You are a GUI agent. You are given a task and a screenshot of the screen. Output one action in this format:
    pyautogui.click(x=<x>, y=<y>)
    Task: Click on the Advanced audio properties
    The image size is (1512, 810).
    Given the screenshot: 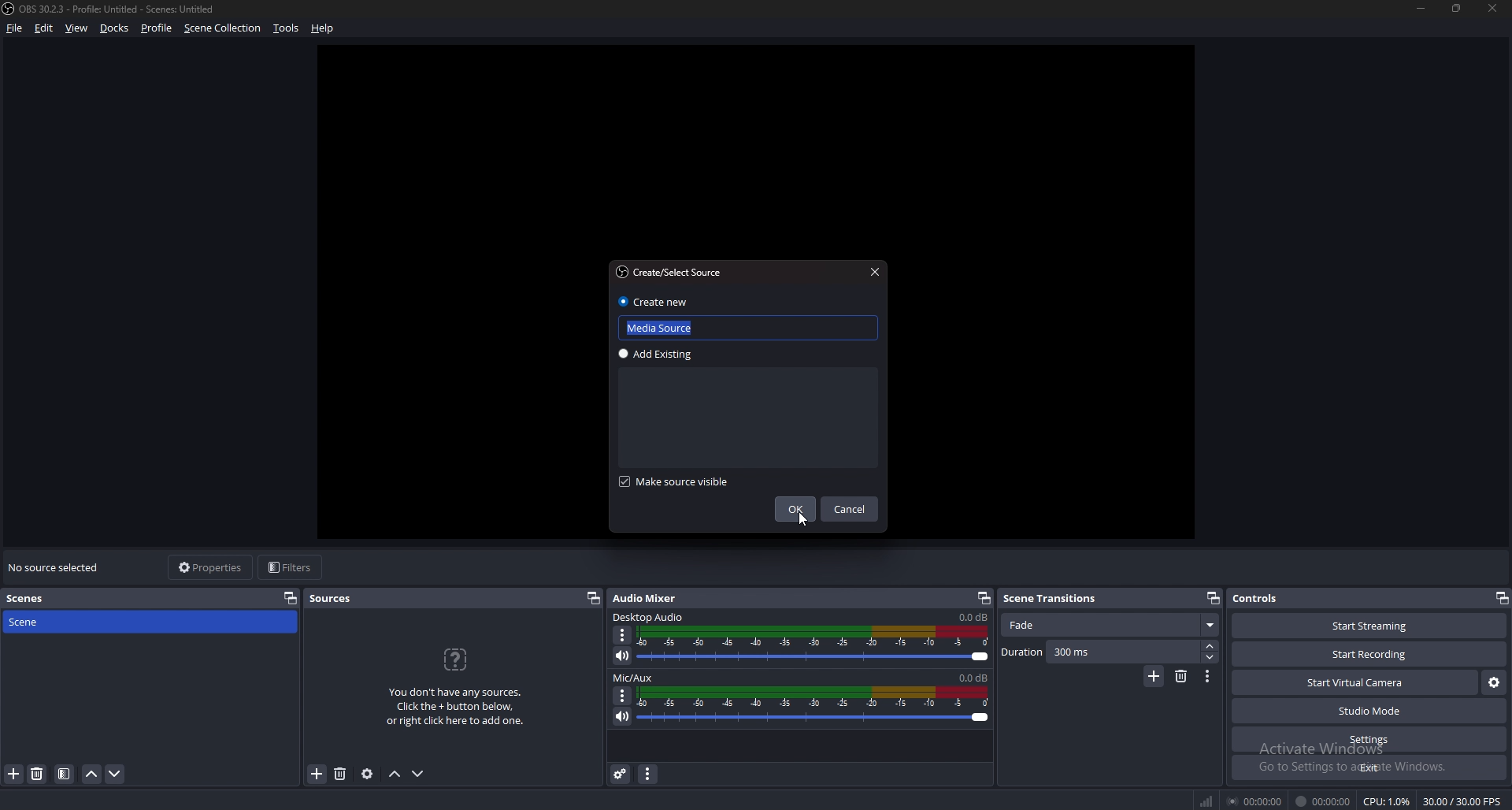 What is the action you would take?
    pyautogui.click(x=622, y=774)
    